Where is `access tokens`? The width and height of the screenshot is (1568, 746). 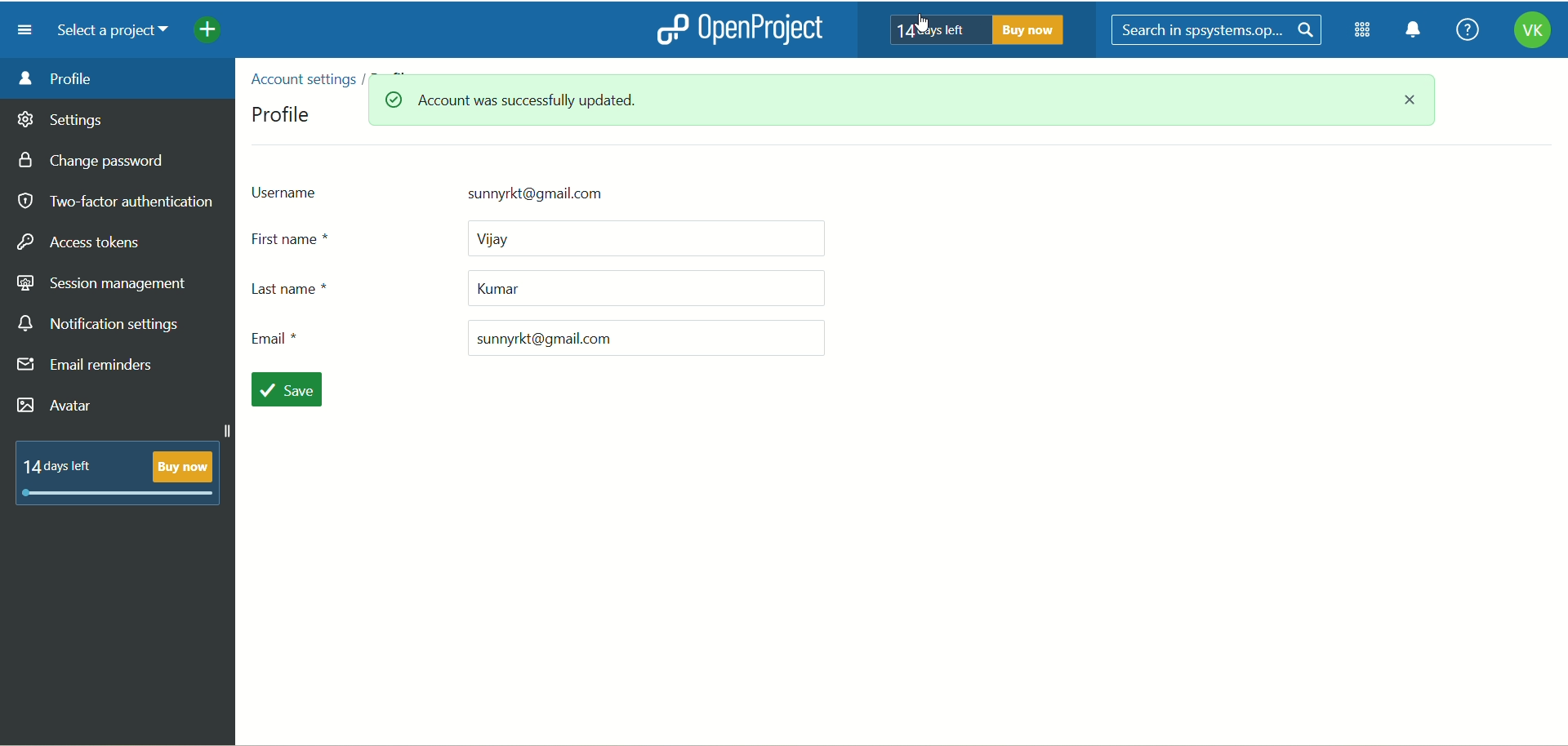
access tokens is located at coordinates (82, 240).